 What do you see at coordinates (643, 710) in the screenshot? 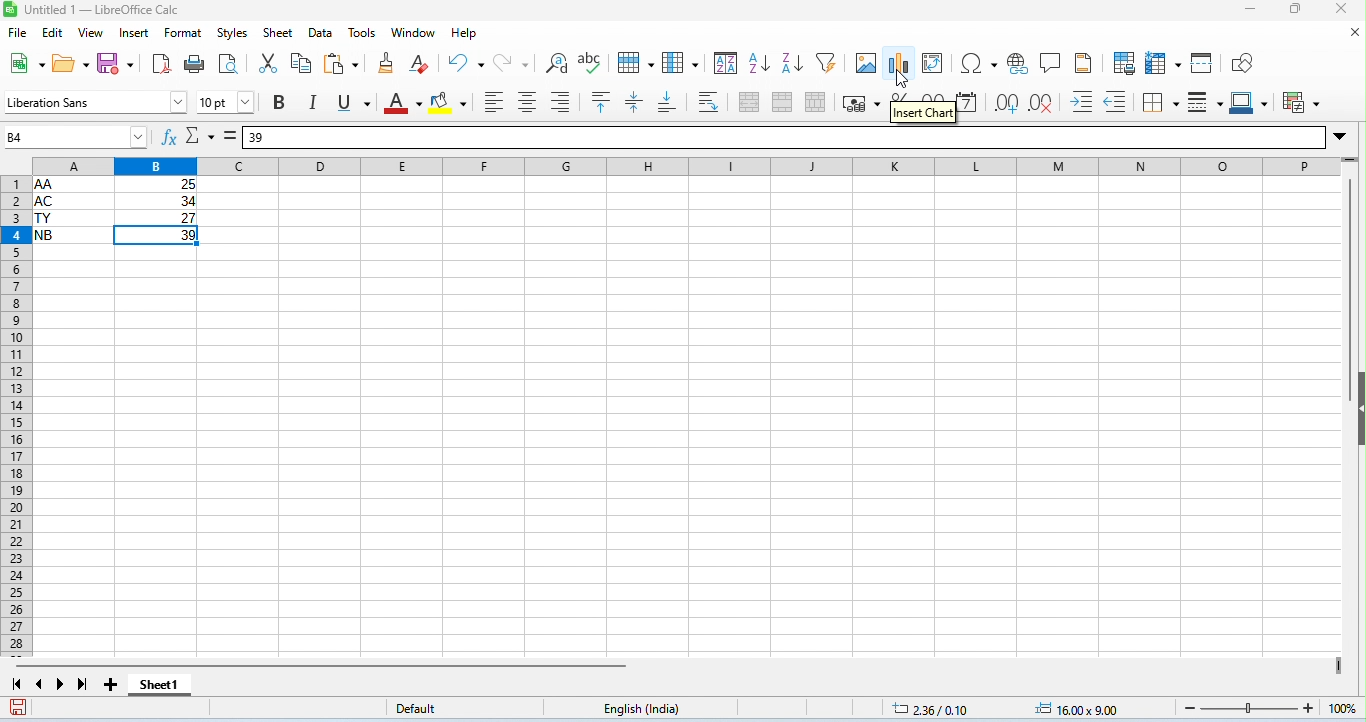
I see `english` at bounding box center [643, 710].